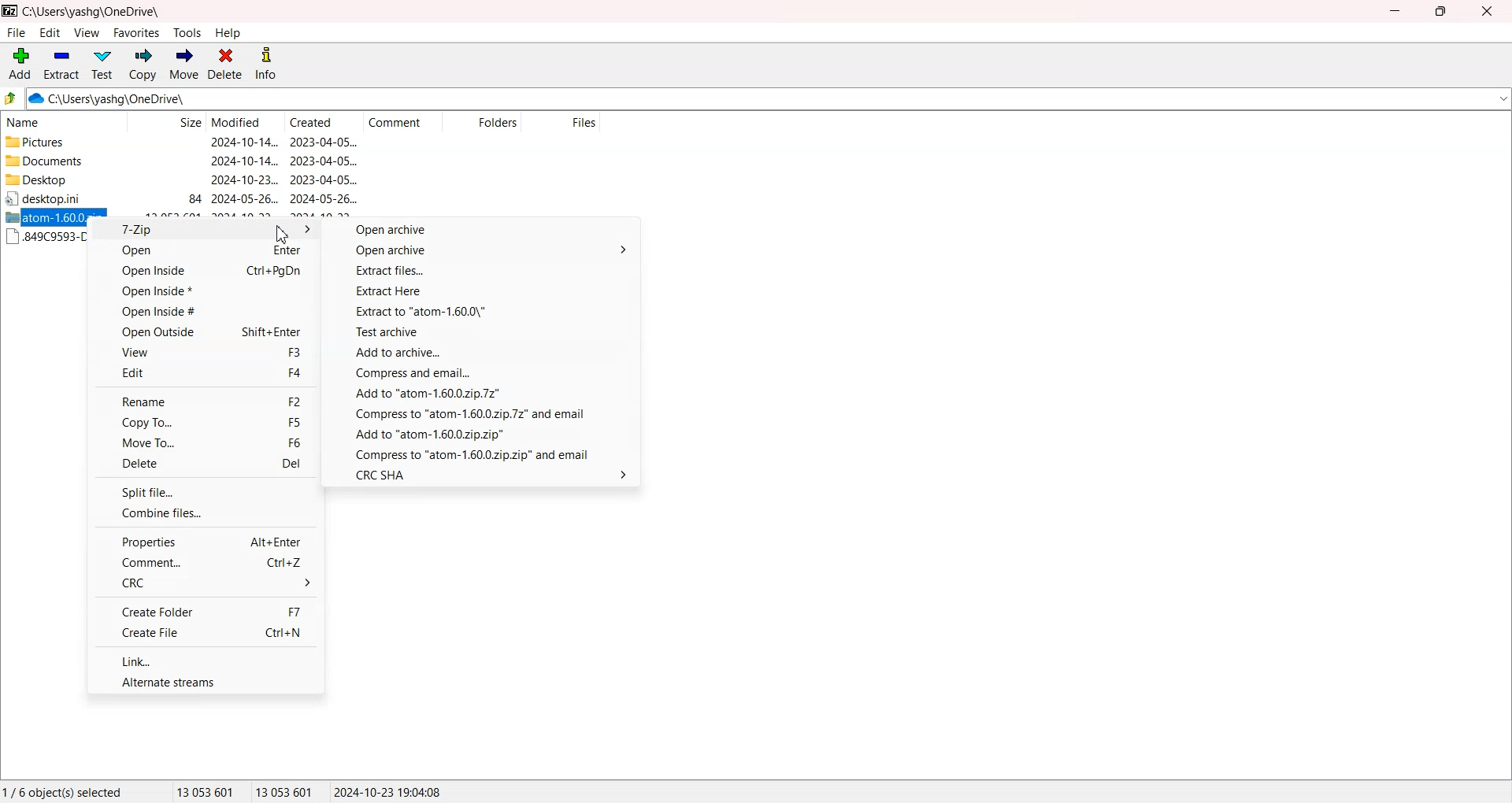 The width and height of the screenshot is (1512, 803). What do you see at coordinates (61, 142) in the screenshot?
I see `Pictures file` at bounding box center [61, 142].